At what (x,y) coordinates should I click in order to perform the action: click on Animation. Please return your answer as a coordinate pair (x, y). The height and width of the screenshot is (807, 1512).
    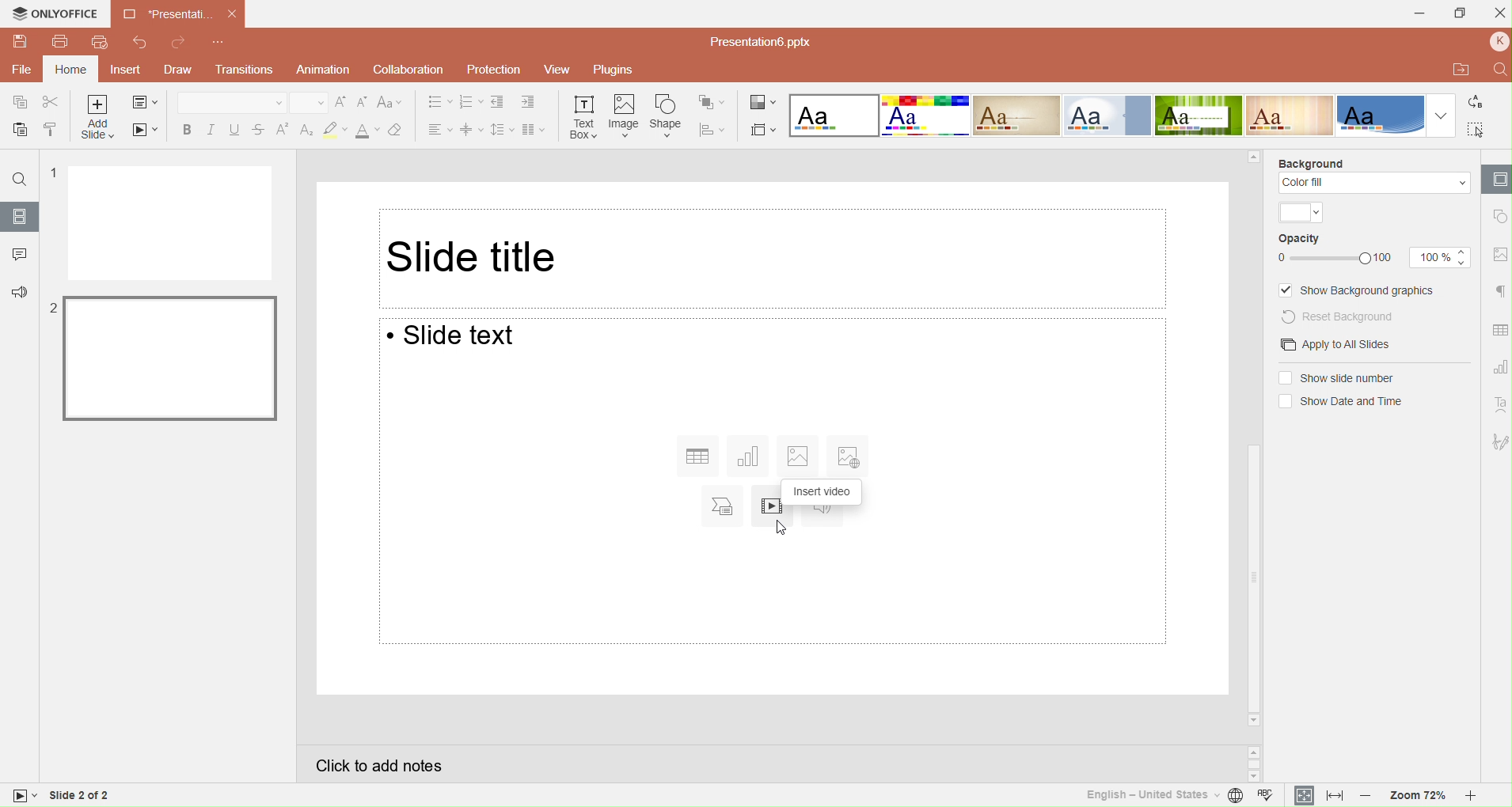
    Looking at the image, I should click on (323, 71).